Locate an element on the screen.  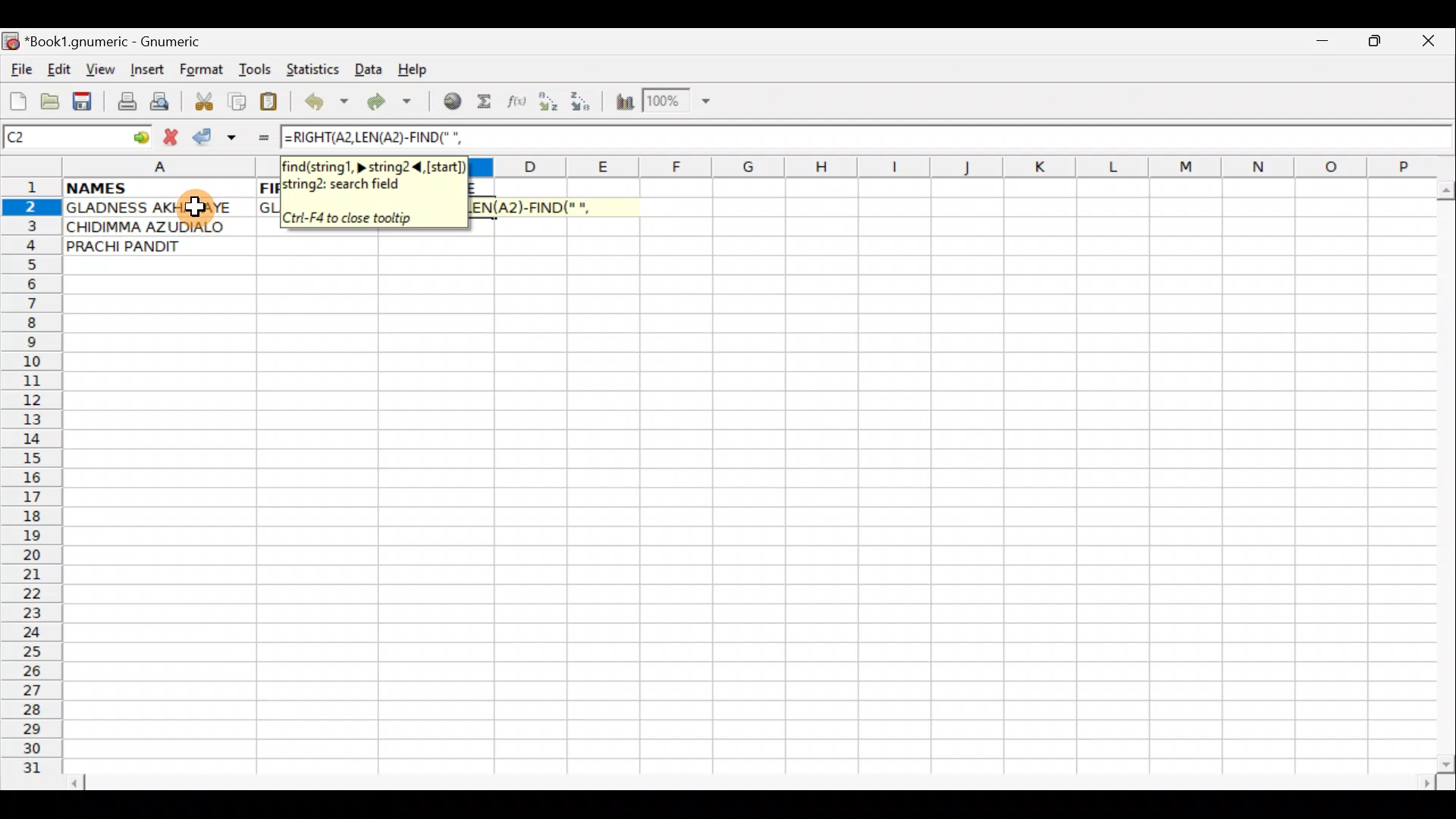
Help is located at coordinates (413, 70).